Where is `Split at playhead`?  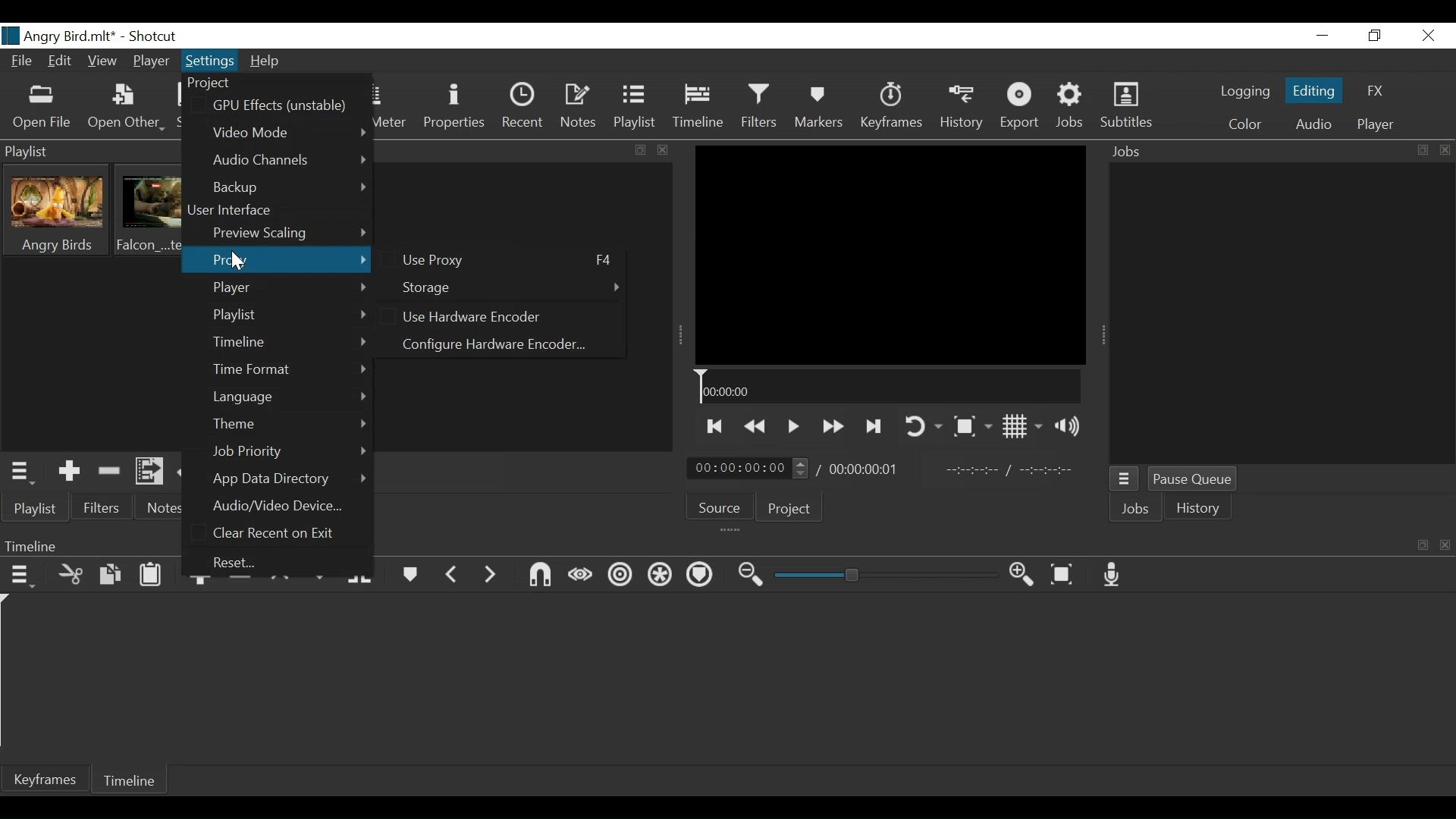 Split at playhead is located at coordinates (363, 576).